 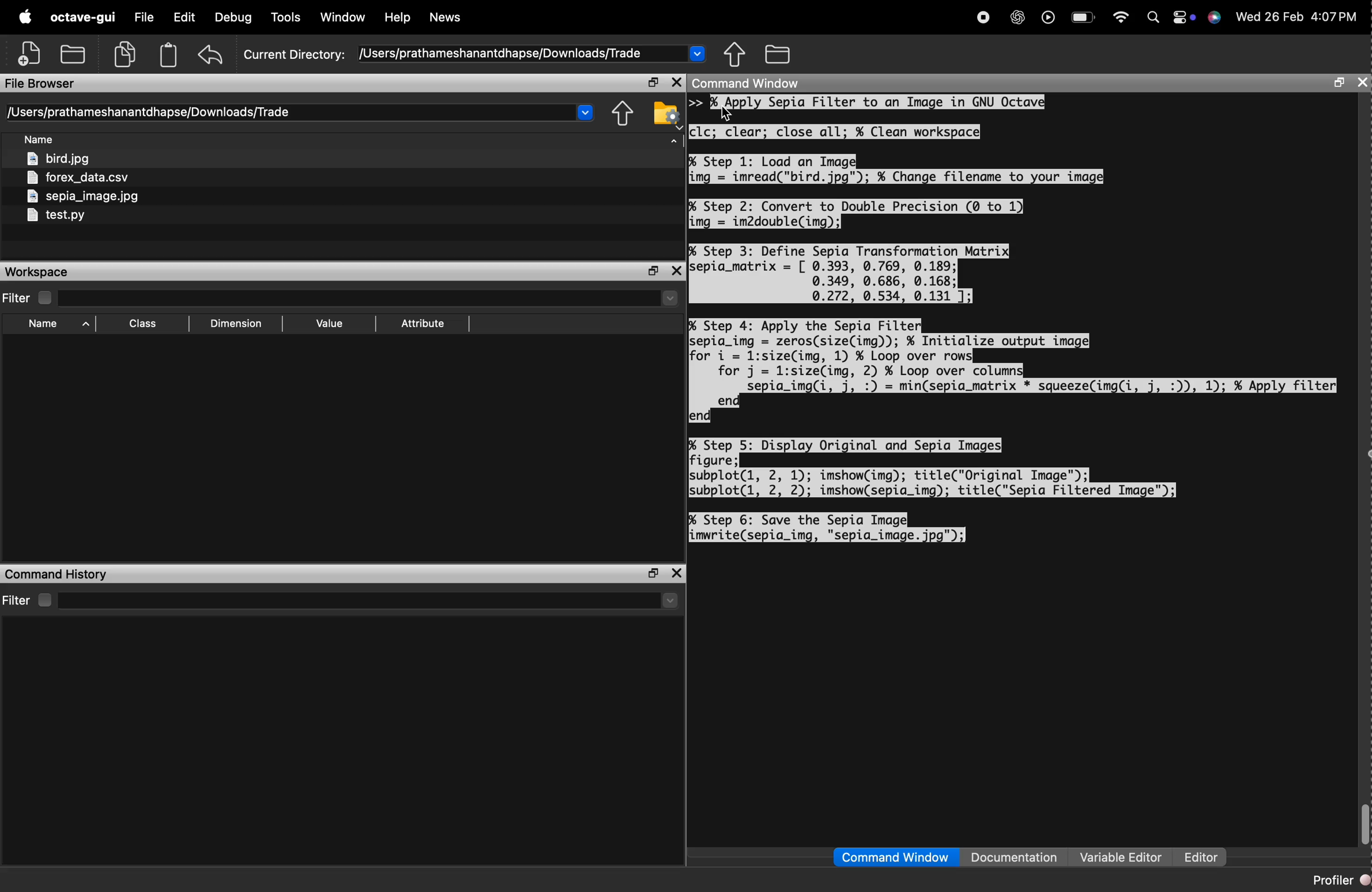 What do you see at coordinates (330, 322) in the screenshot?
I see `Value` at bounding box center [330, 322].